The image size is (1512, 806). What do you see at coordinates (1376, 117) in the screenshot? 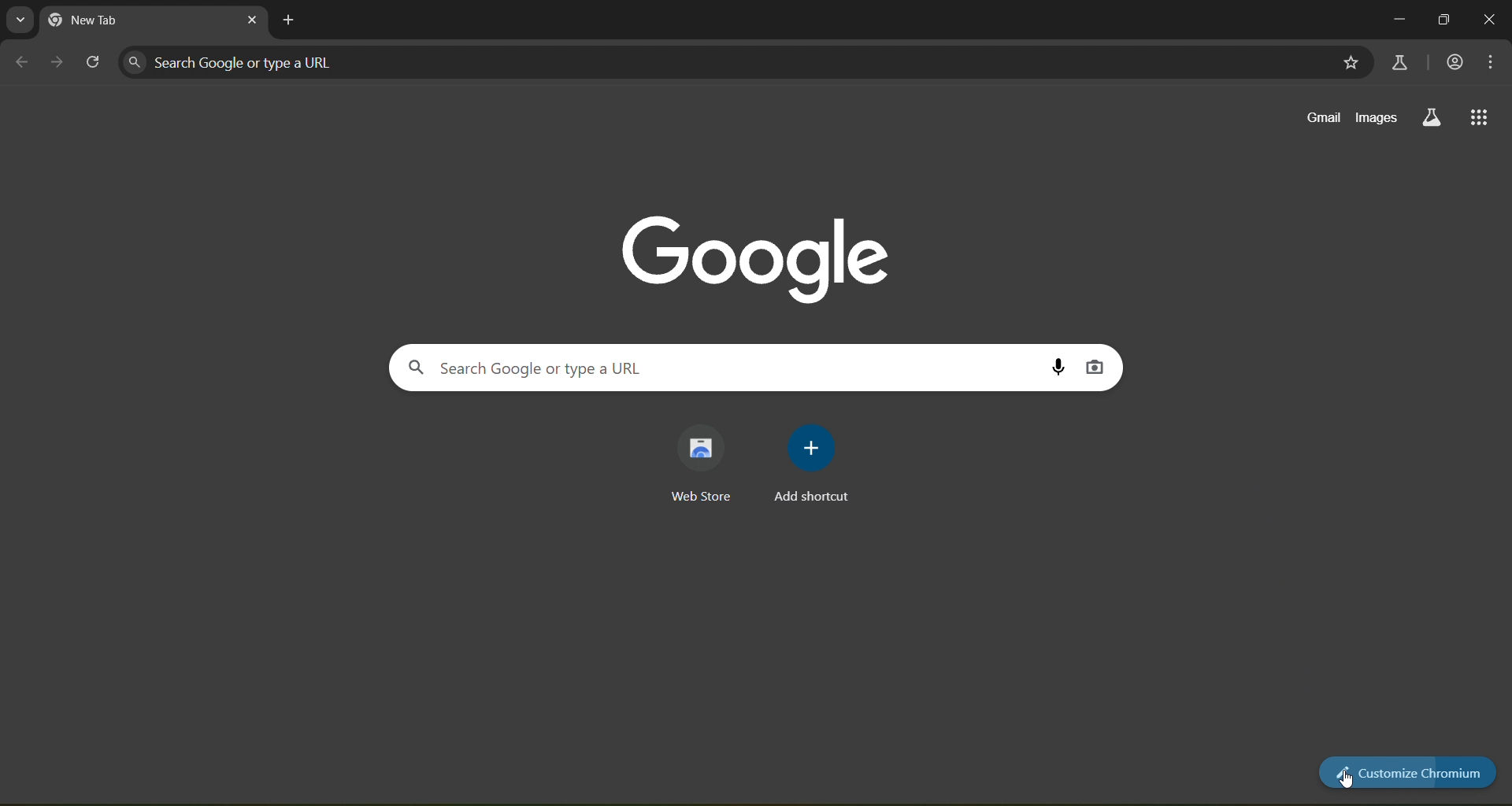
I see `images` at bounding box center [1376, 117].